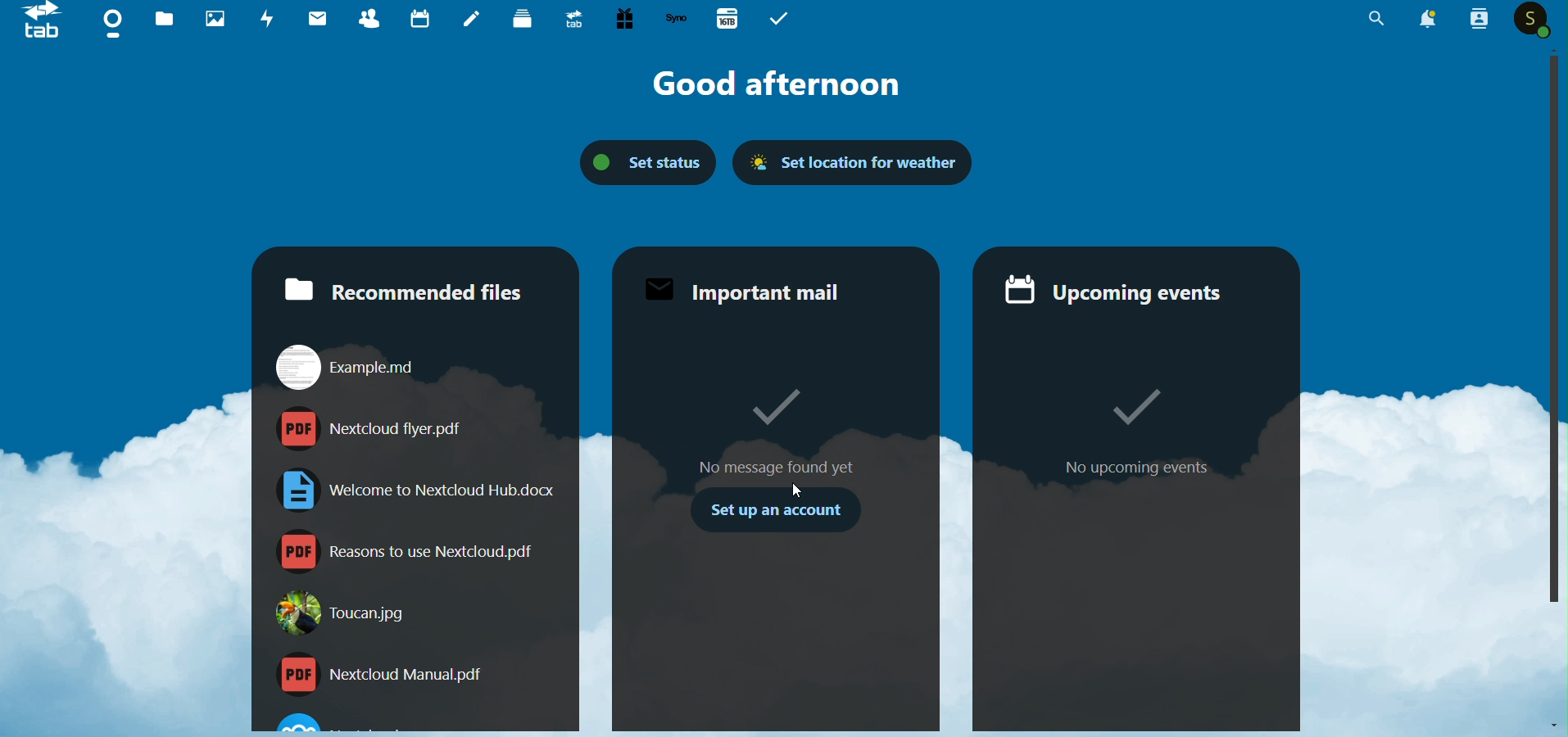 This screenshot has height=737, width=1568. Describe the element at coordinates (765, 418) in the screenshot. I see `no message found yet` at that location.